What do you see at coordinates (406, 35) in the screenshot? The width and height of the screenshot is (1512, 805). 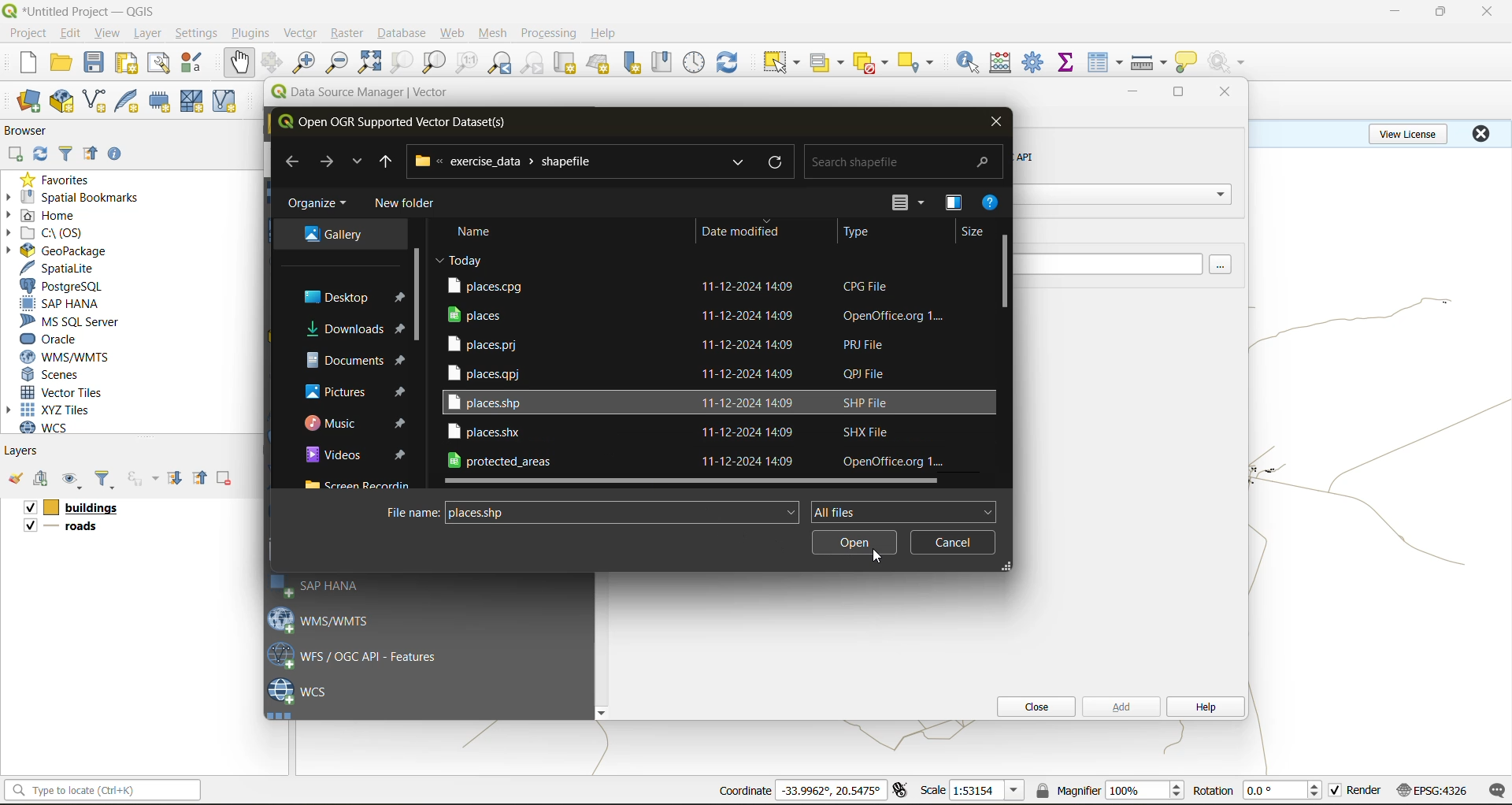 I see `database` at bounding box center [406, 35].